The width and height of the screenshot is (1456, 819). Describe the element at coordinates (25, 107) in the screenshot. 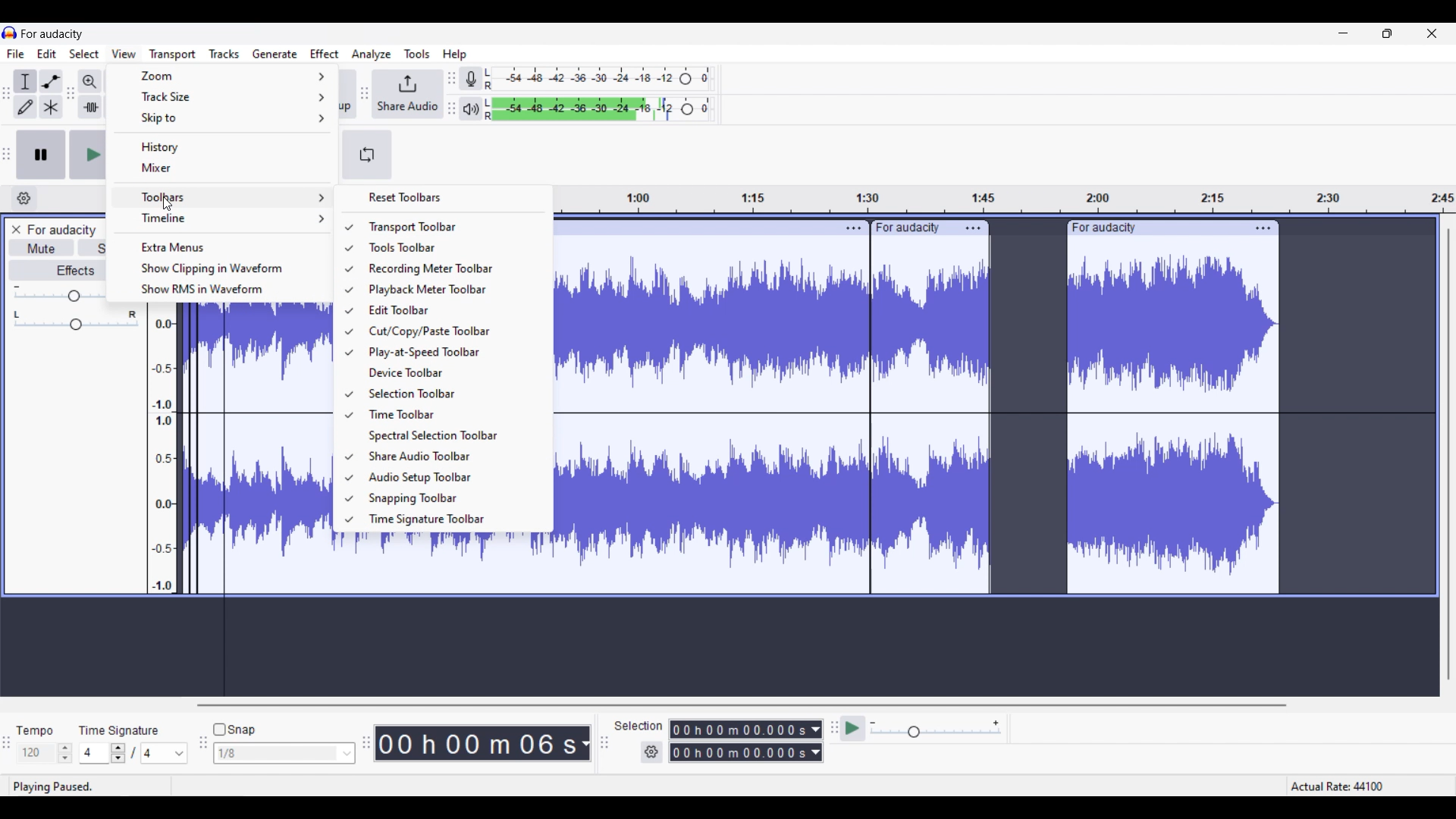

I see `Draw tool` at that location.